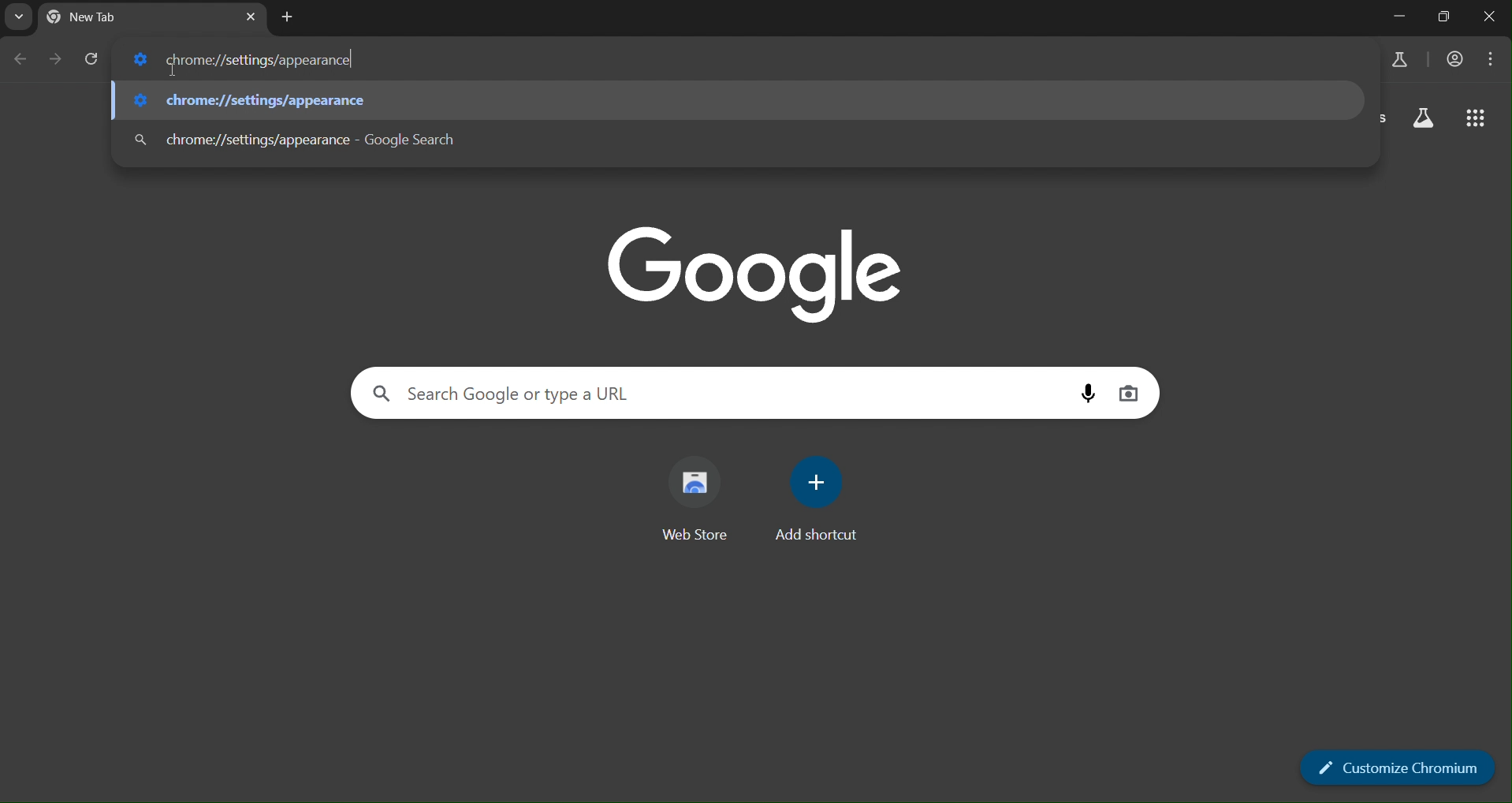  I want to click on account, so click(1454, 60).